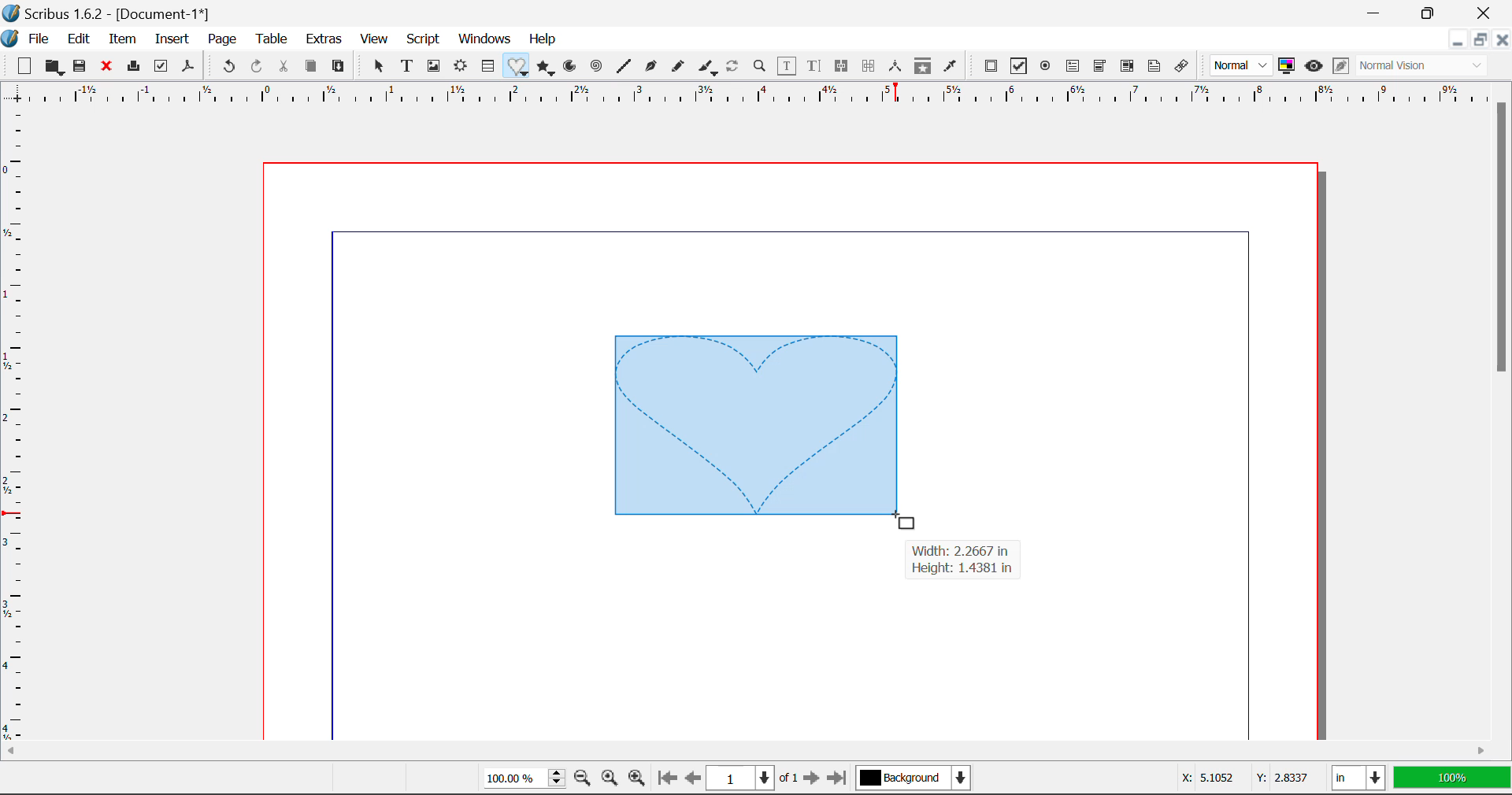 The height and width of the screenshot is (795, 1512). I want to click on Help, so click(543, 39).